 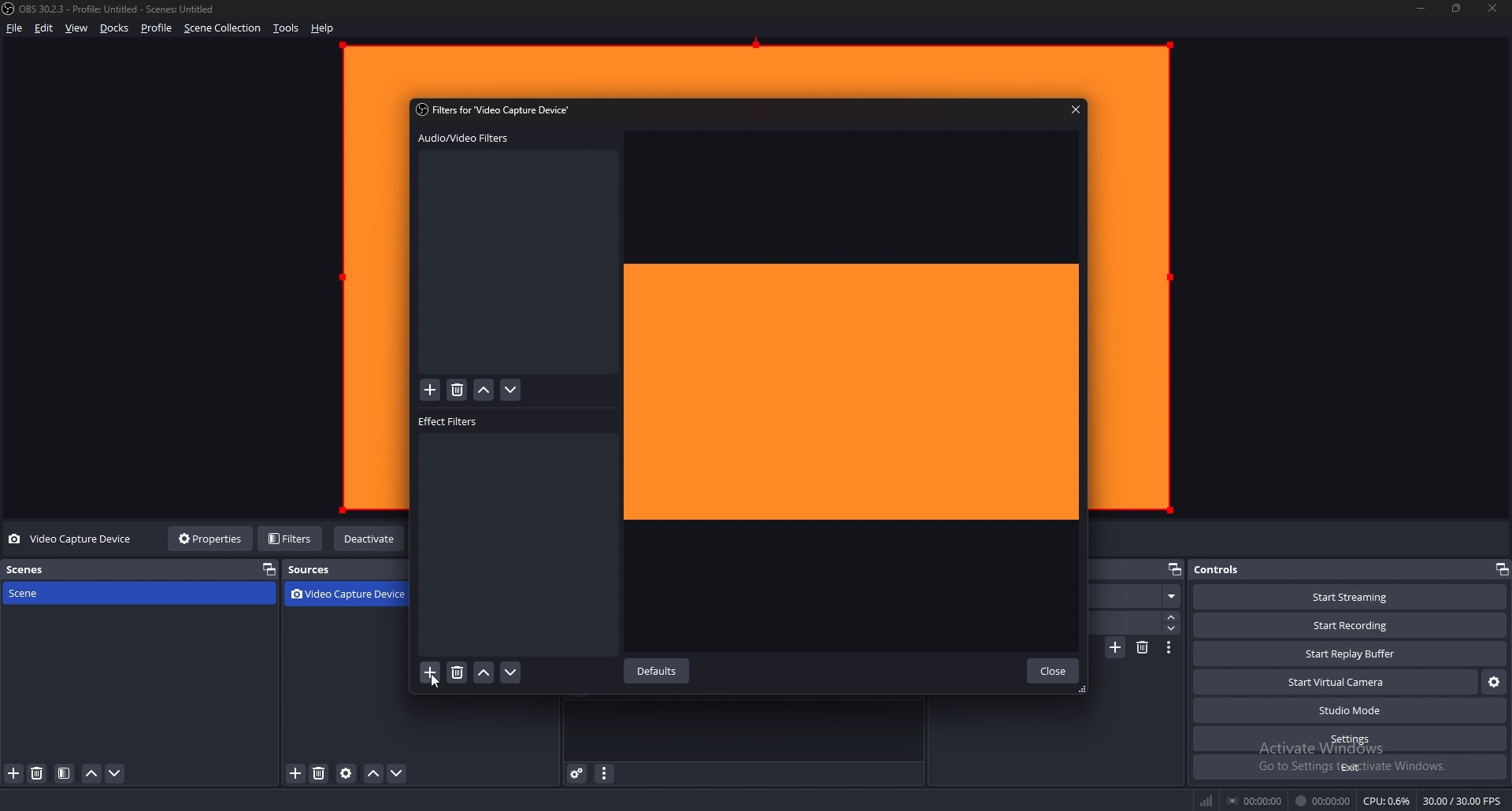 What do you see at coordinates (1348, 711) in the screenshot?
I see `studio mode` at bounding box center [1348, 711].